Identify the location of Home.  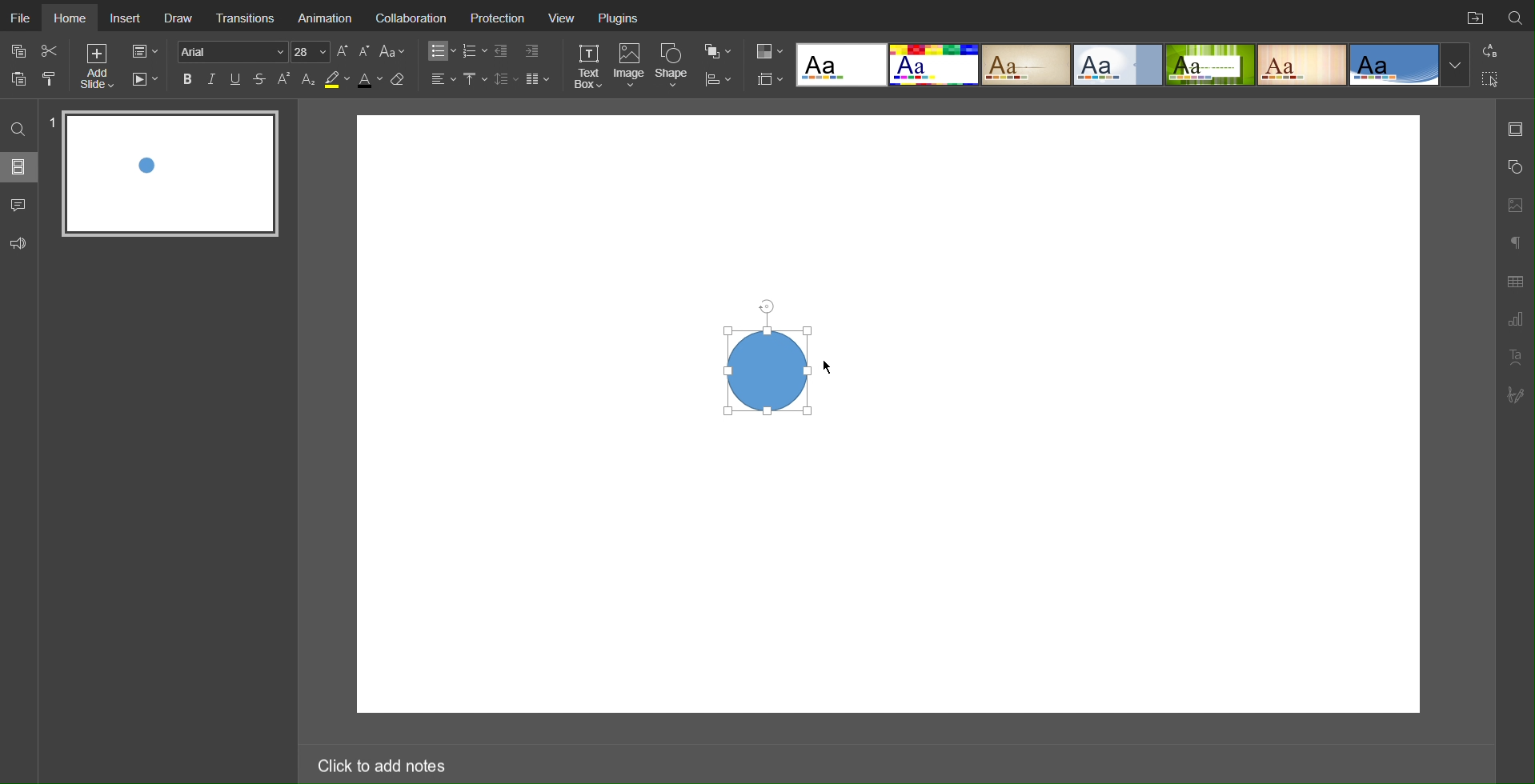
(67, 16).